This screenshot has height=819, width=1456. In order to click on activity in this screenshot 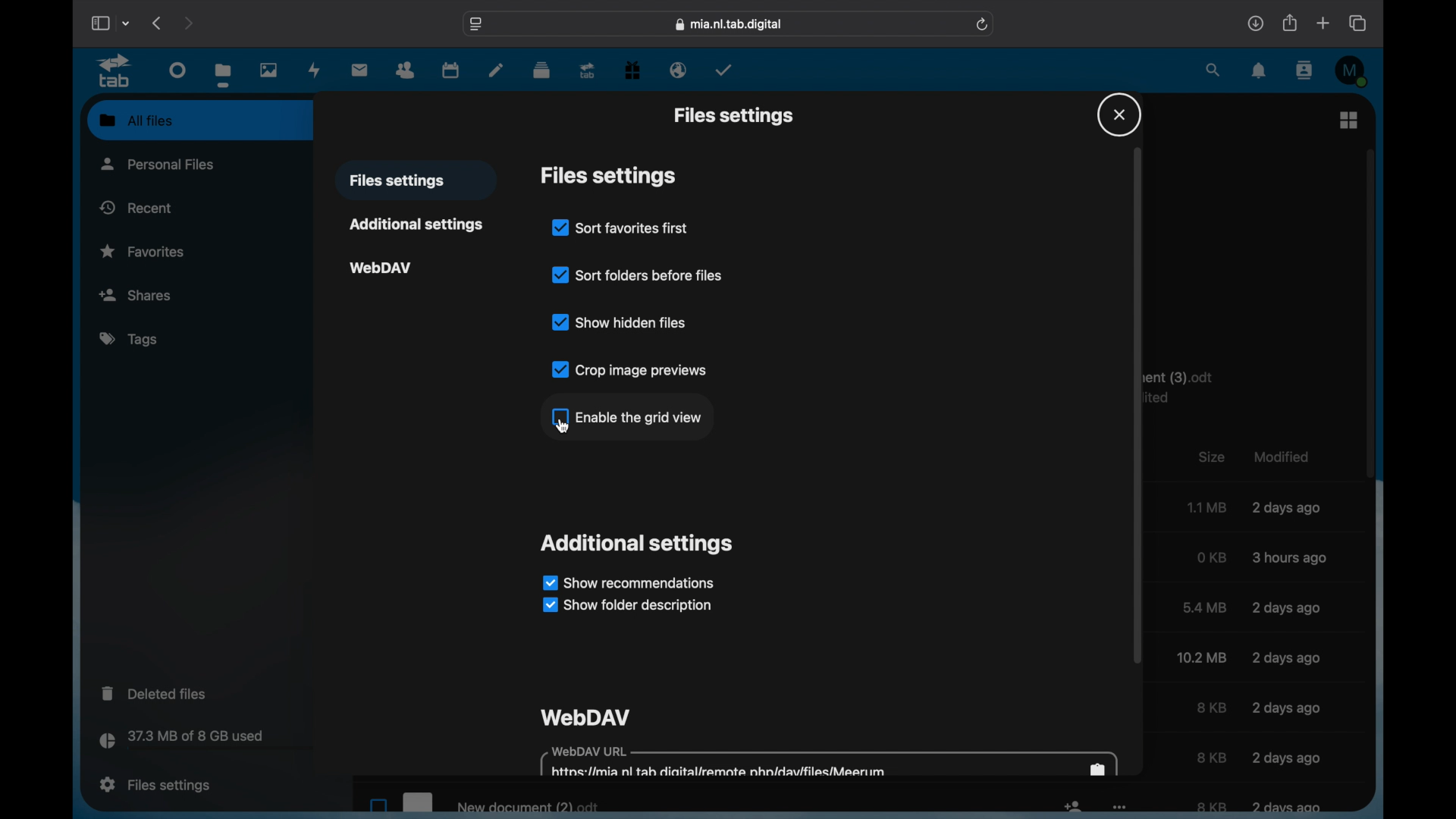, I will do `click(315, 70)`.